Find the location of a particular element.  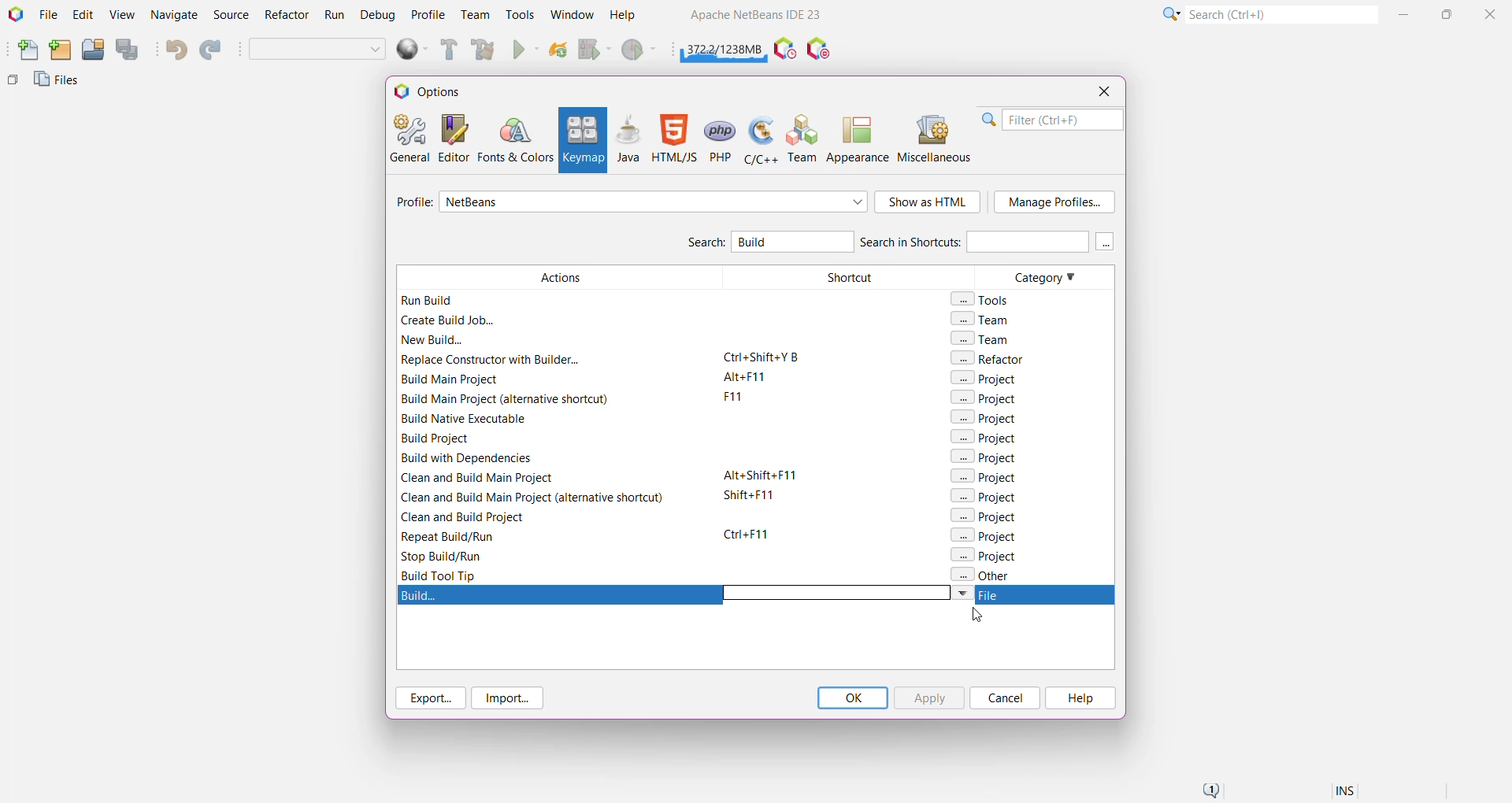

General is located at coordinates (408, 137).